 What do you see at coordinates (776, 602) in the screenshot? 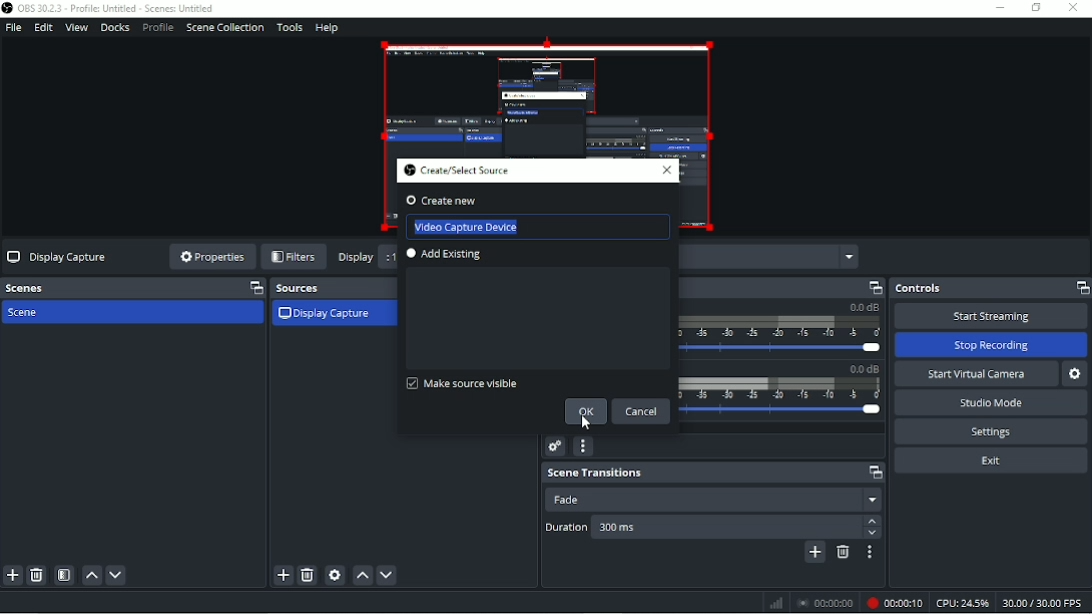
I see `Graph` at bounding box center [776, 602].